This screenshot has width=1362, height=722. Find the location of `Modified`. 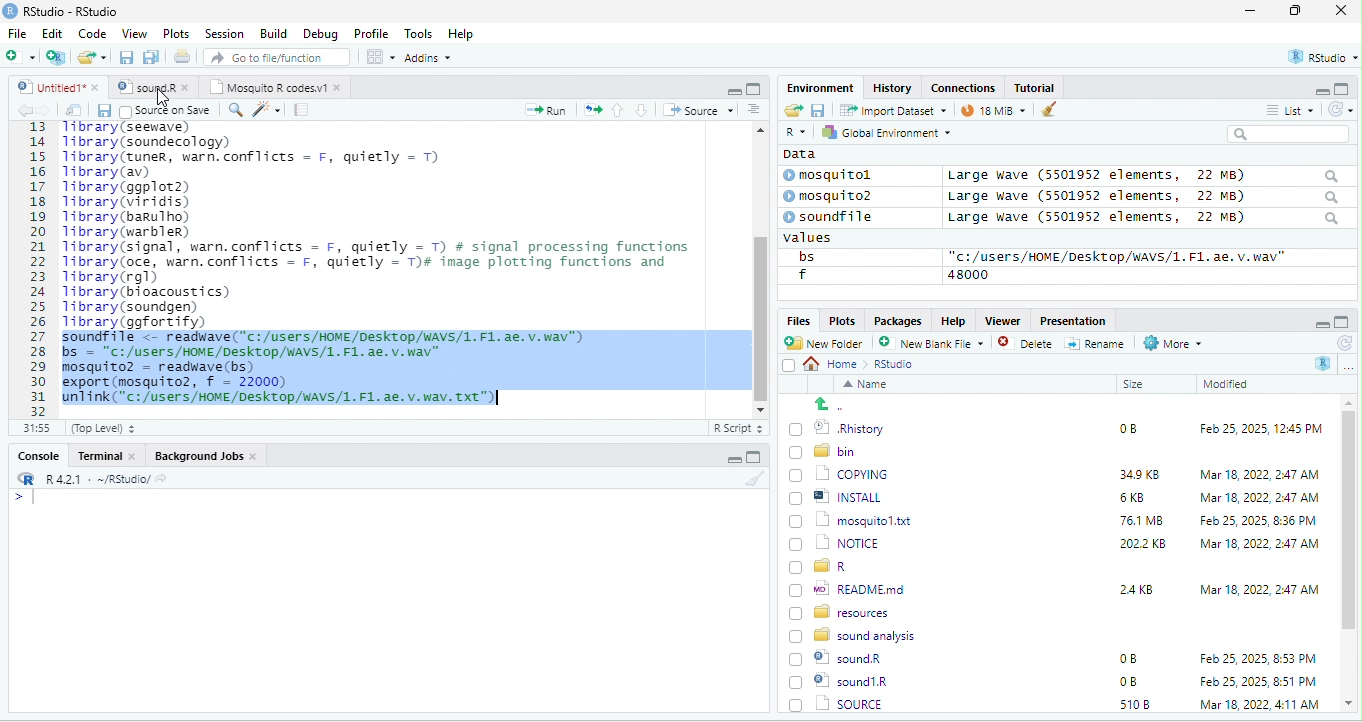

Modified is located at coordinates (1227, 384).